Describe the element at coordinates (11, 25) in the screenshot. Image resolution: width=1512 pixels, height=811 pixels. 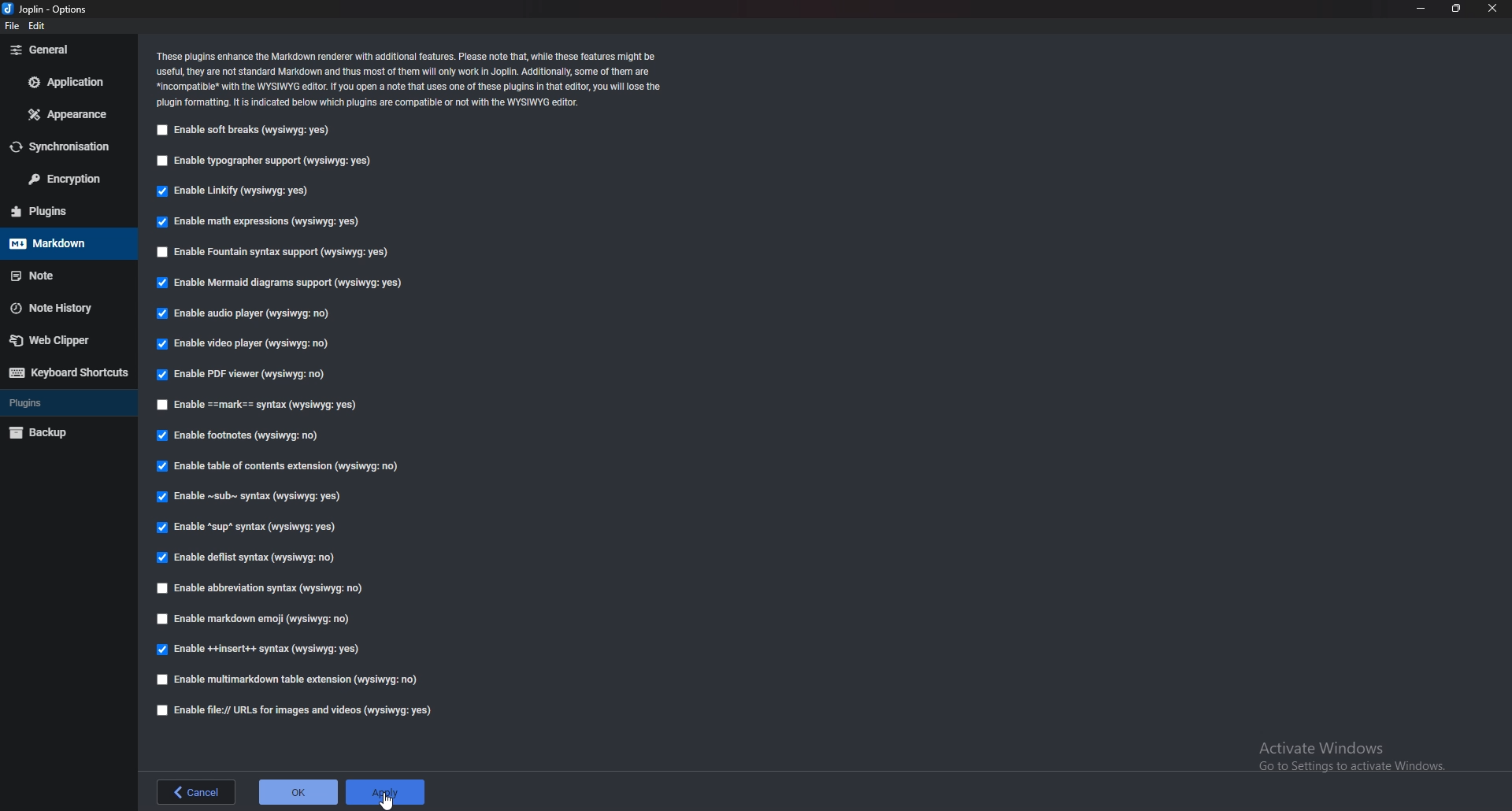
I see `file` at that location.